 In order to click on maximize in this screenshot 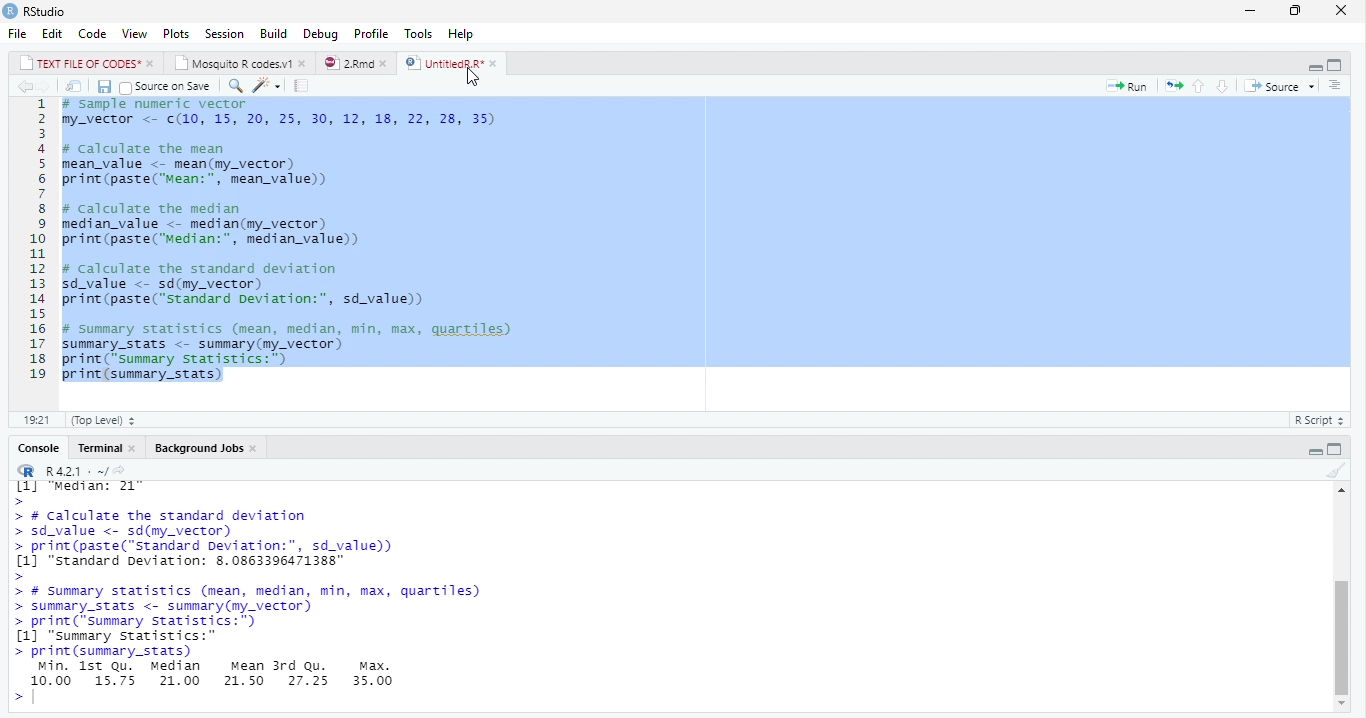, I will do `click(1298, 12)`.